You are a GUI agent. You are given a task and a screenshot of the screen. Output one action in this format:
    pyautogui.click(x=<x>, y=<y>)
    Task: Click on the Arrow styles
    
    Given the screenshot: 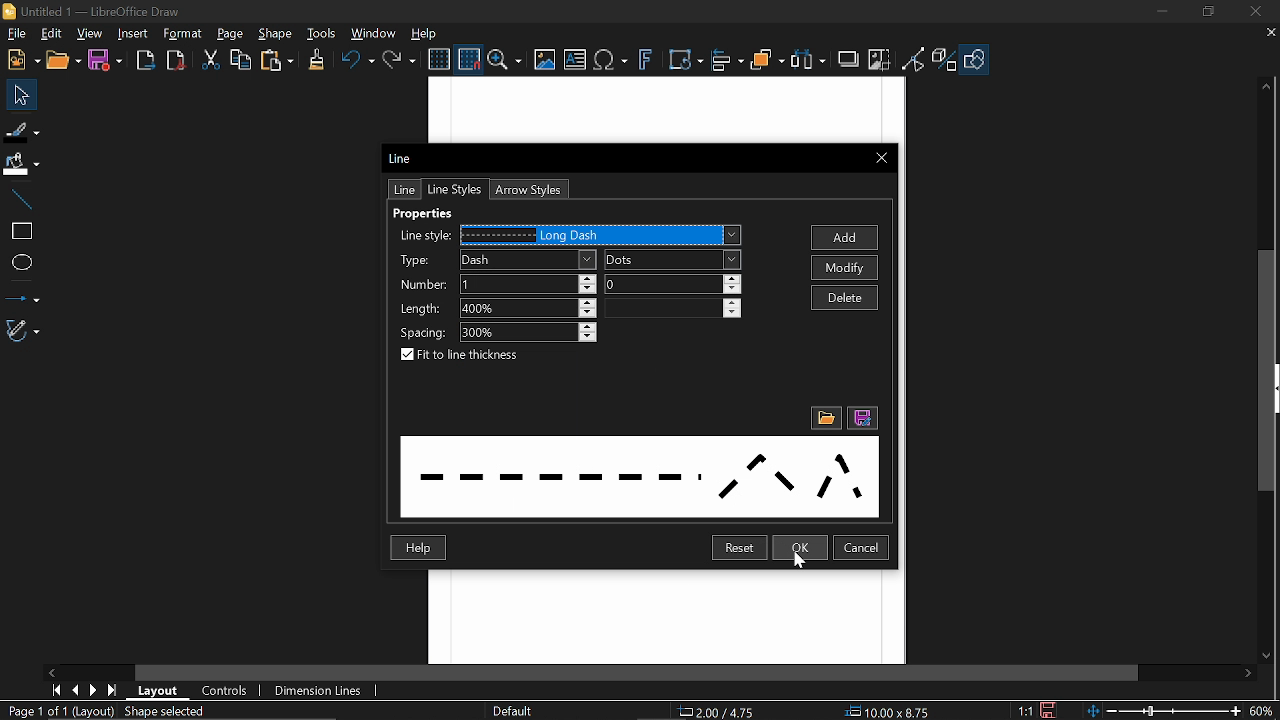 What is the action you would take?
    pyautogui.click(x=526, y=190)
    